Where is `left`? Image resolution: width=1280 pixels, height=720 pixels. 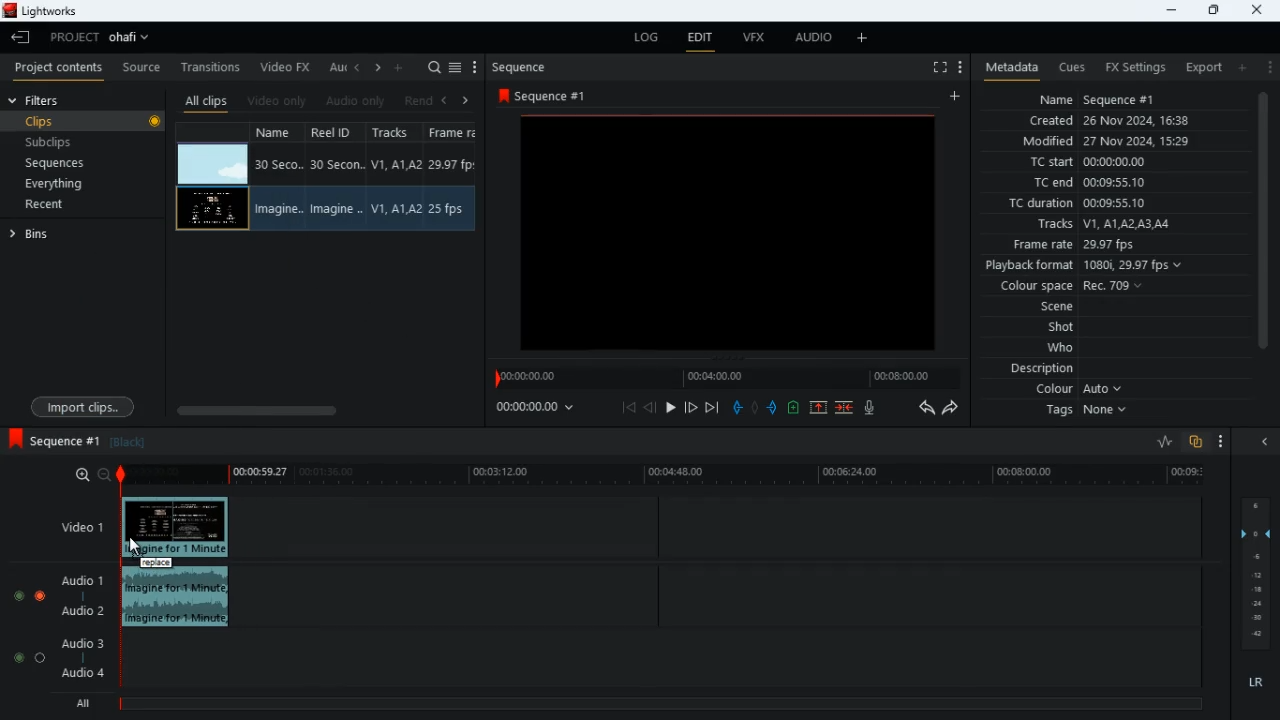
left is located at coordinates (358, 67).